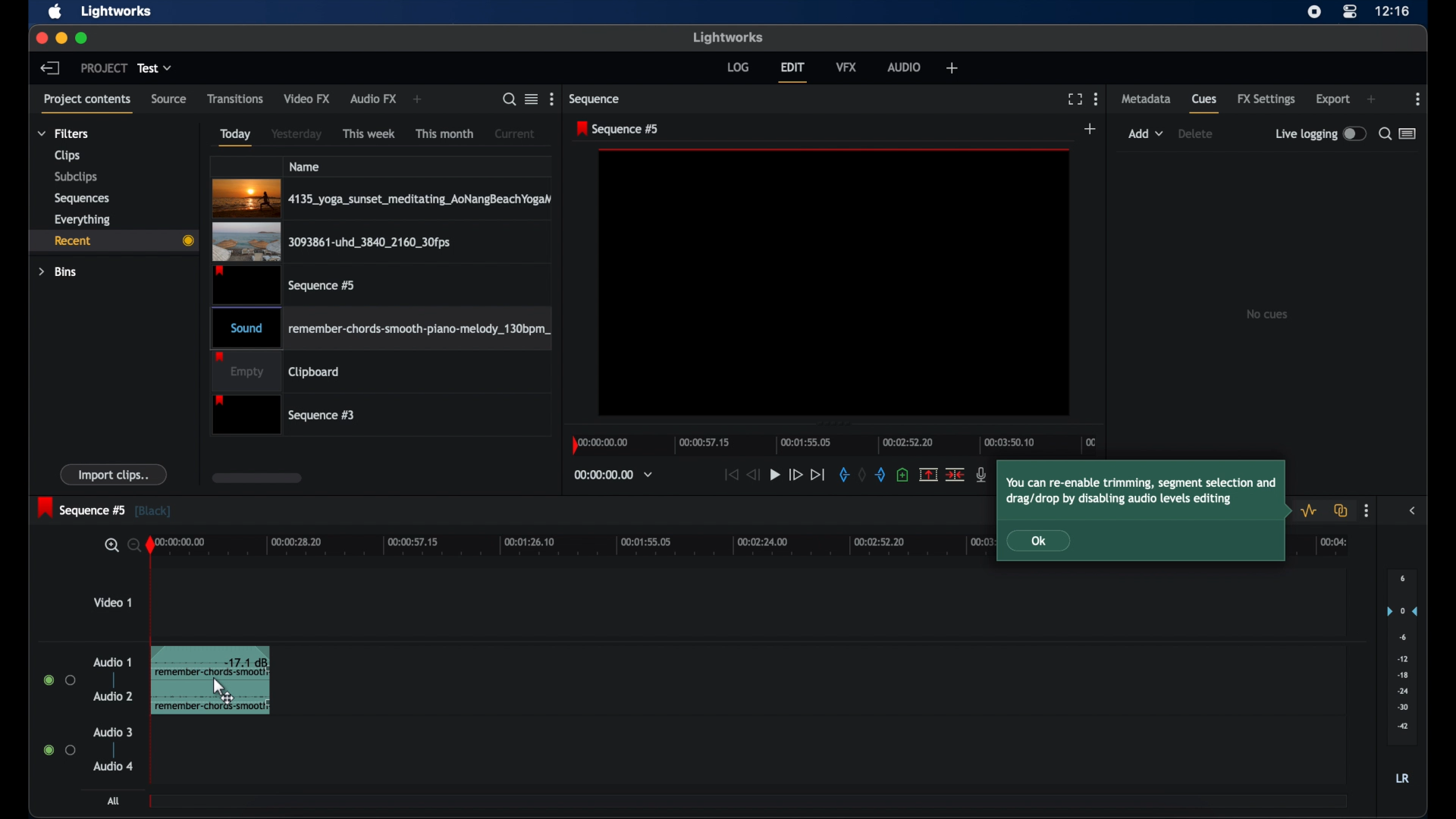  What do you see at coordinates (419, 99) in the screenshot?
I see `add` at bounding box center [419, 99].